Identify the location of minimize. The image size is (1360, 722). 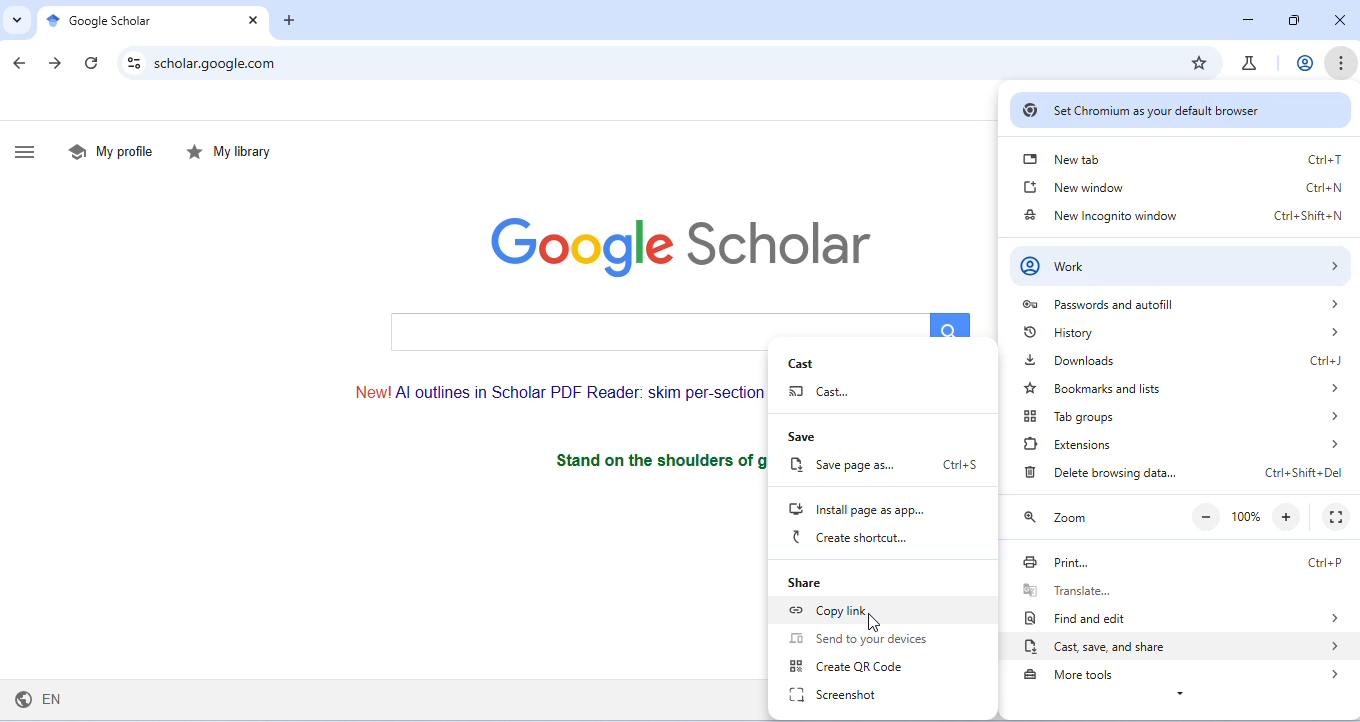
(1245, 19).